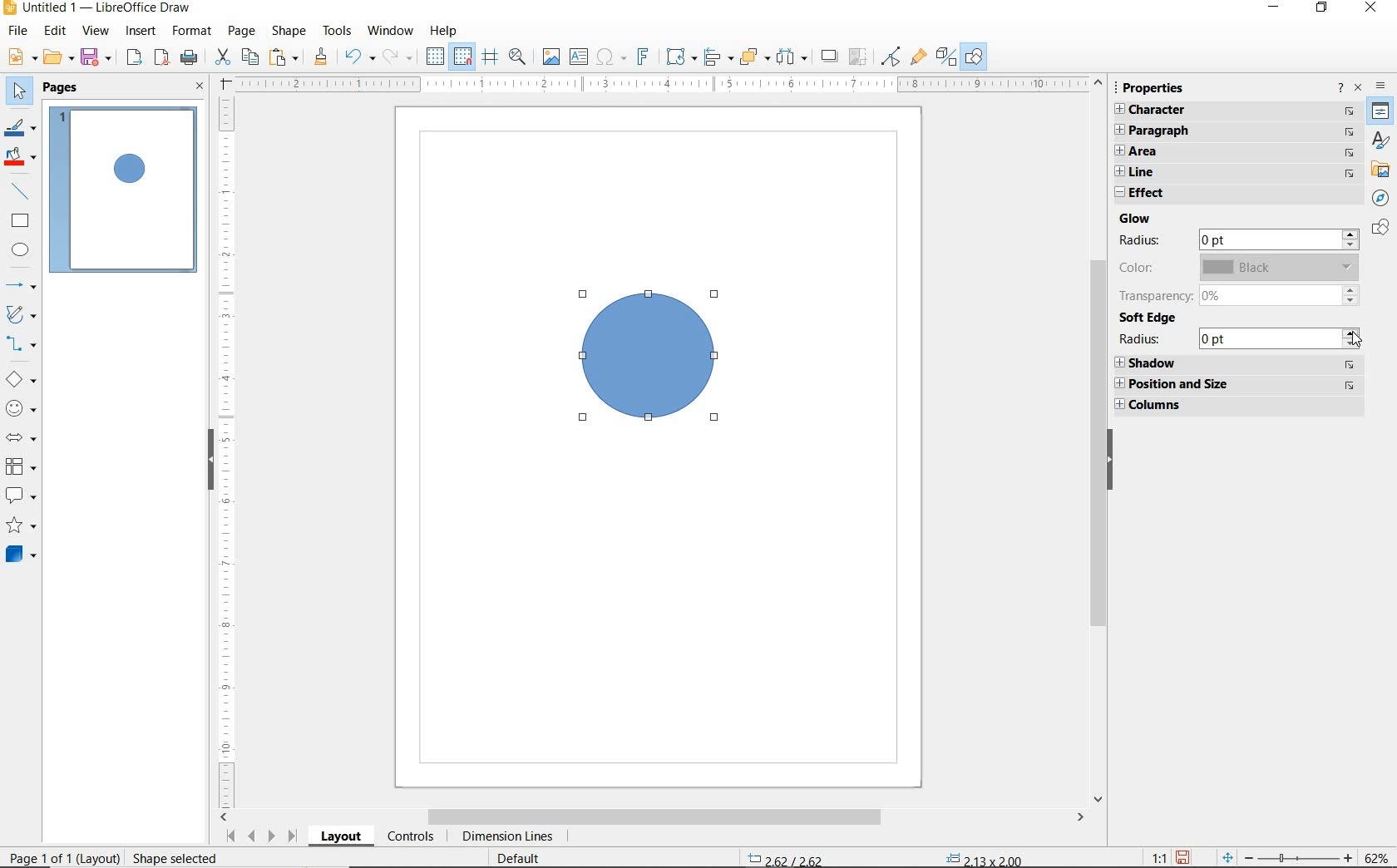  I want to click on Default, so click(530, 859).